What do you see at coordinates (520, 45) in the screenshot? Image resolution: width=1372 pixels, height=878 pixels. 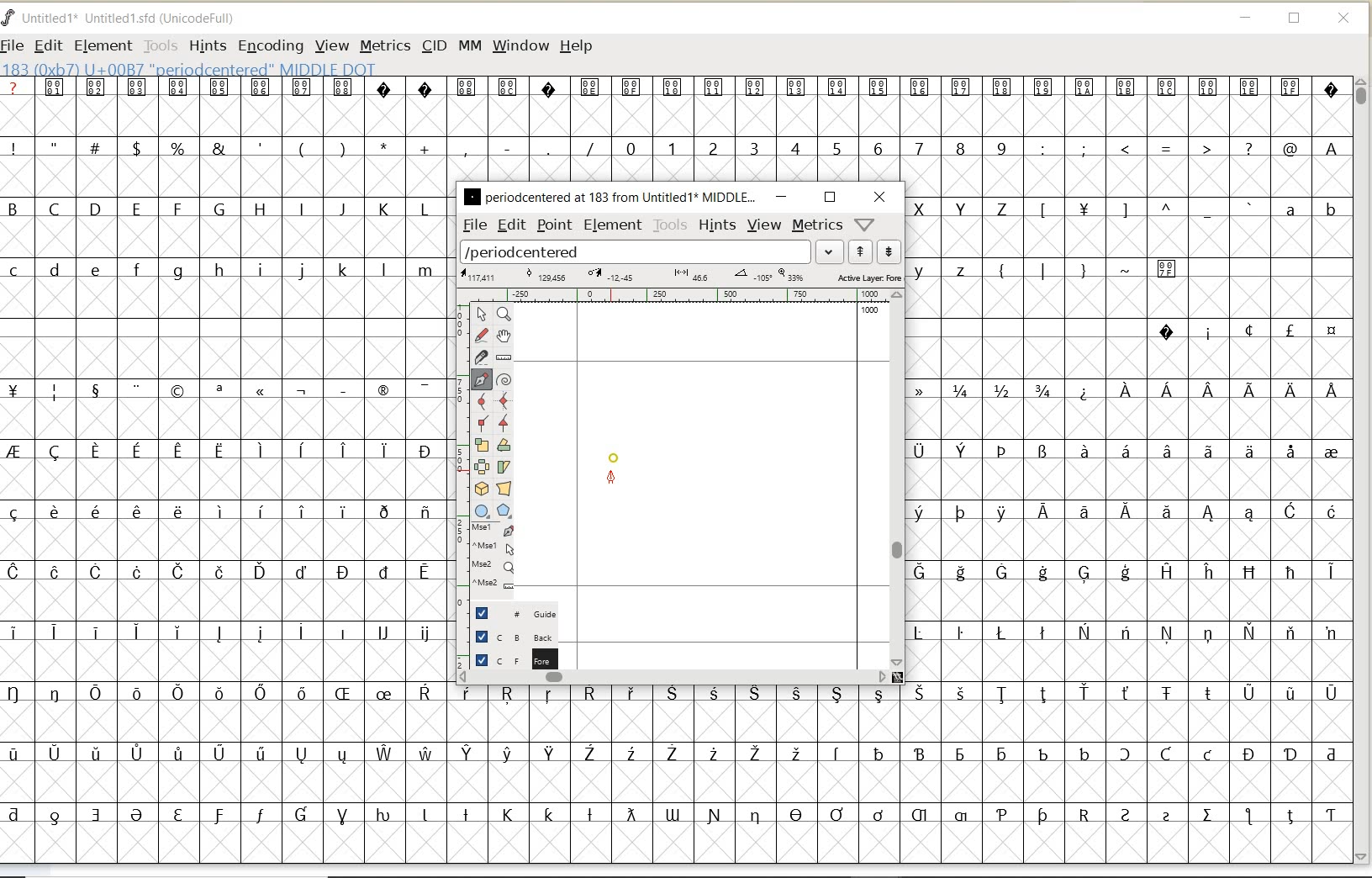 I see `WINDOW` at bounding box center [520, 45].